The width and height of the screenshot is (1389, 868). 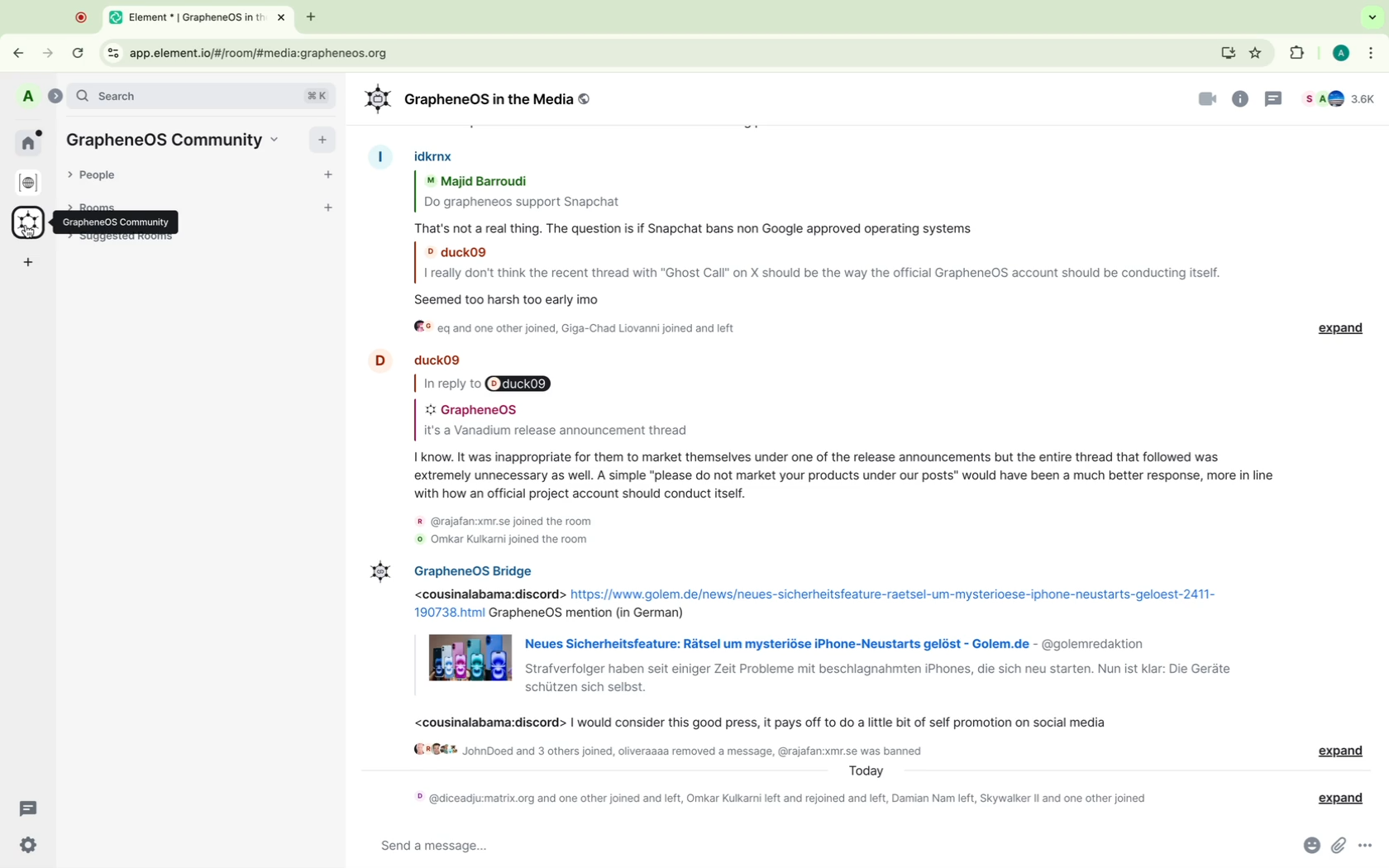 I want to click on <cousinalabama:discord> https://www.golwn.de/news/neues-sicherheitsfeature-raetsel-um-mysterioese-iphone-neustrats-geloest-2411-190738.html GrapheneOS mention (in German), so click(x=818, y=602).